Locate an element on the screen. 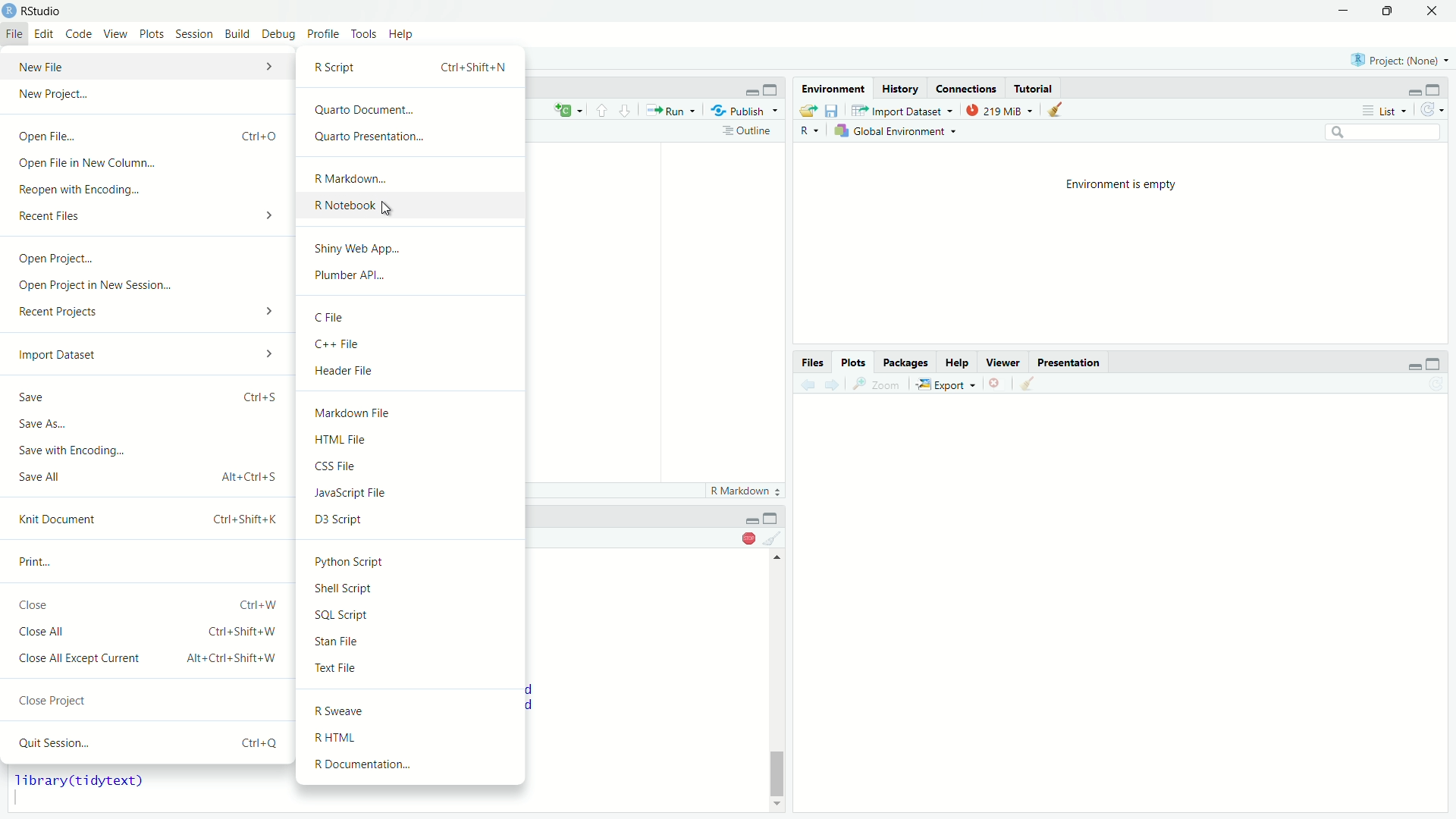 This screenshot has width=1456, height=819. Build is located at coordinates (236, 34).